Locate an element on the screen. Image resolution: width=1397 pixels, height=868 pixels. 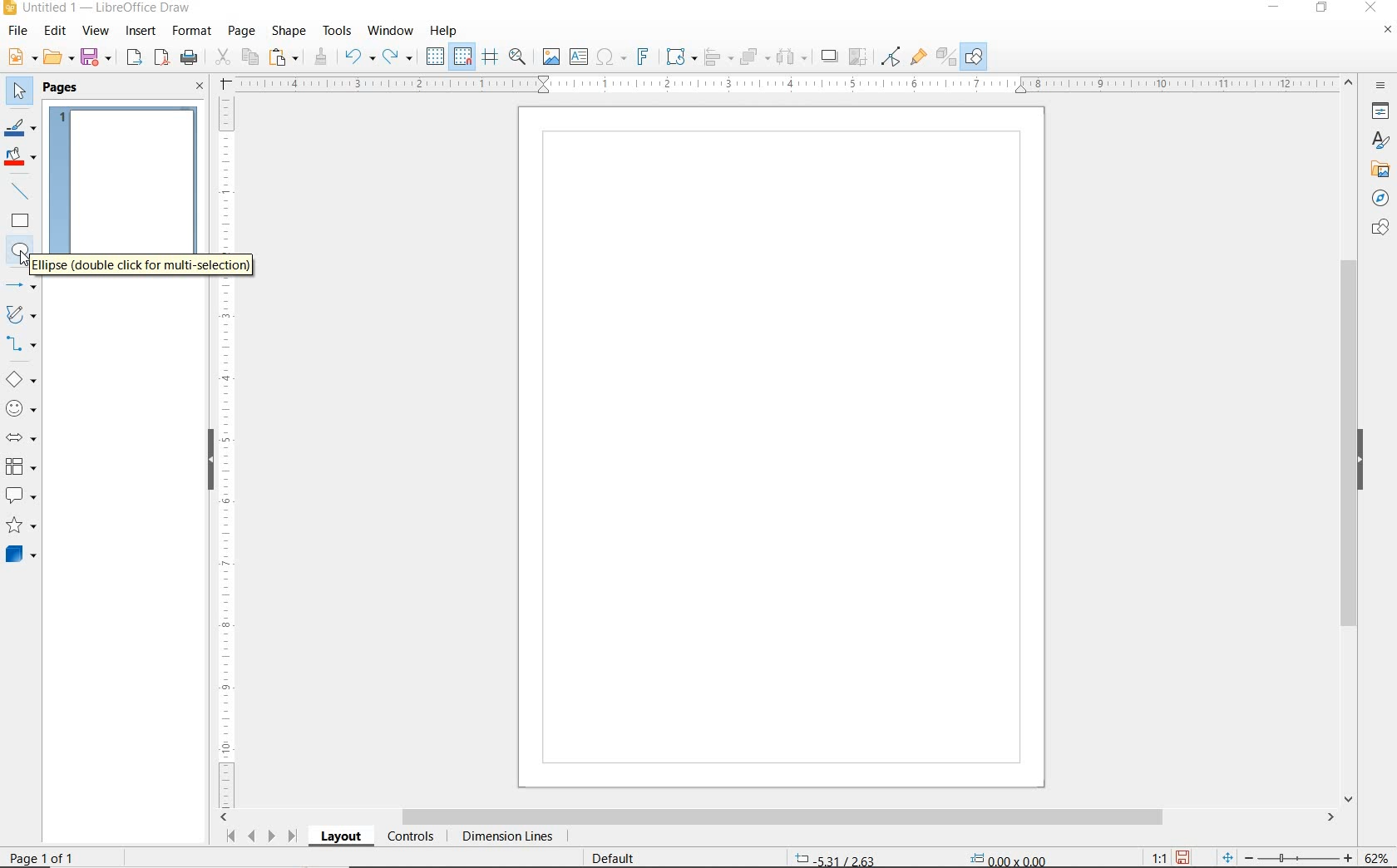
SYMBOL SHAPES is located at coordinates (22, 408).